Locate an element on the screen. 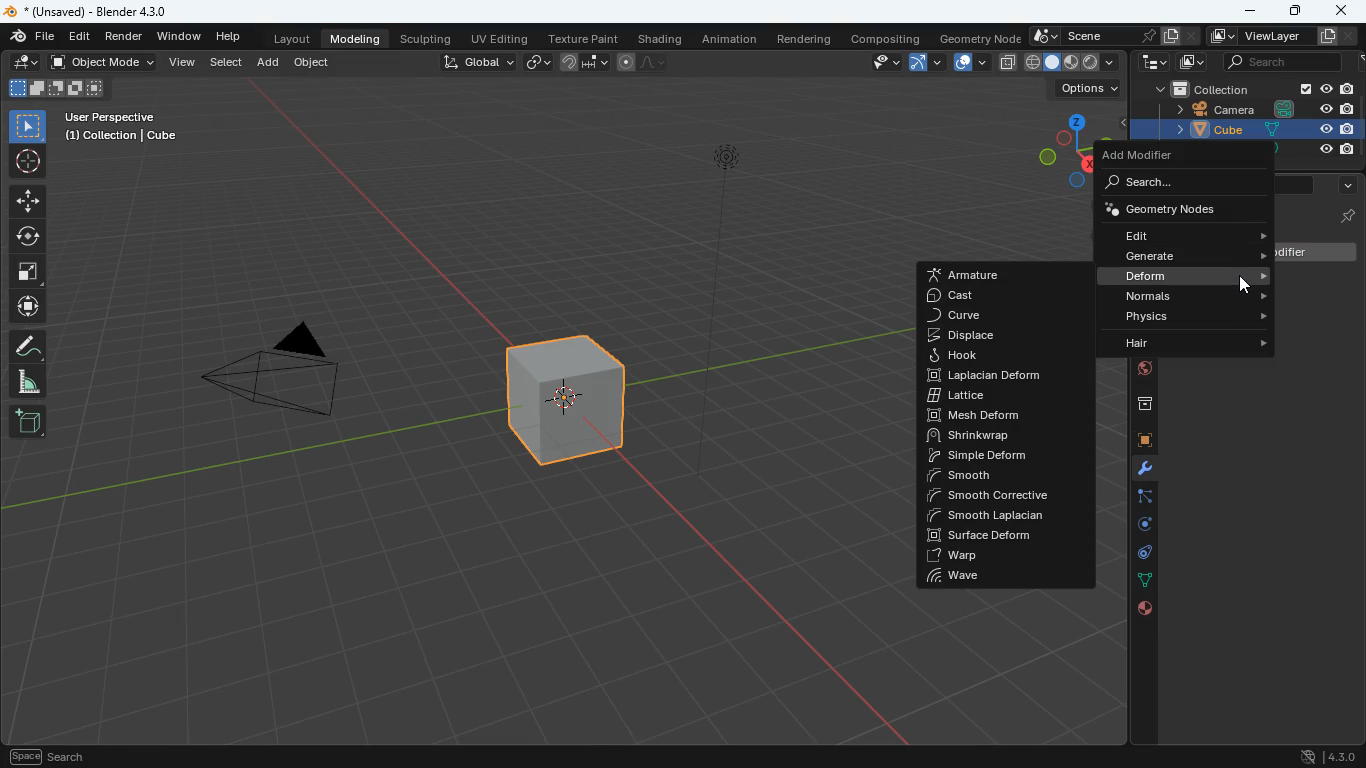 The height and width of the screenshot is (768, 1366). cast is located at coordinates (972, 296).